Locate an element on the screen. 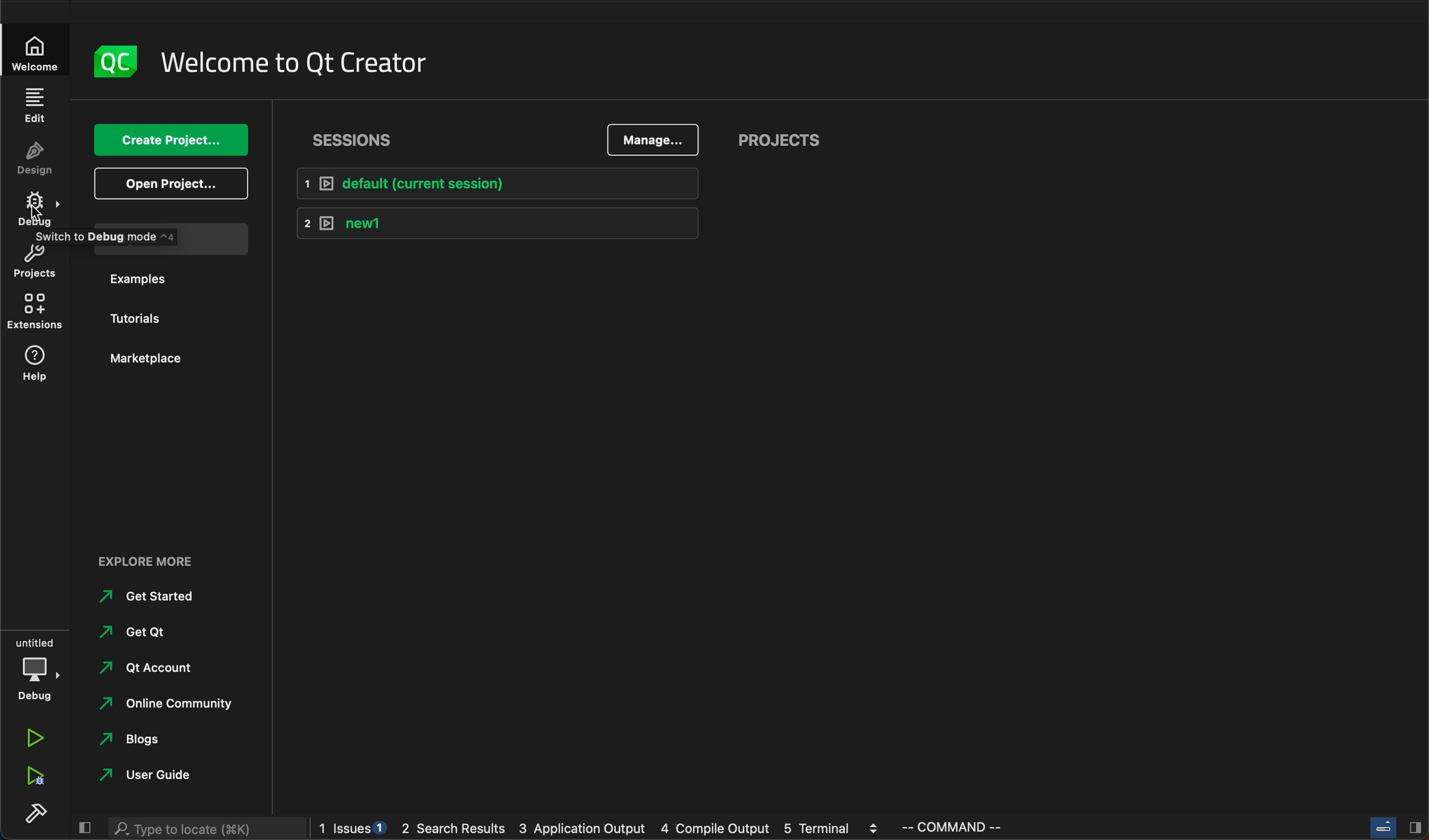  default is located at coordinates (494, 182).